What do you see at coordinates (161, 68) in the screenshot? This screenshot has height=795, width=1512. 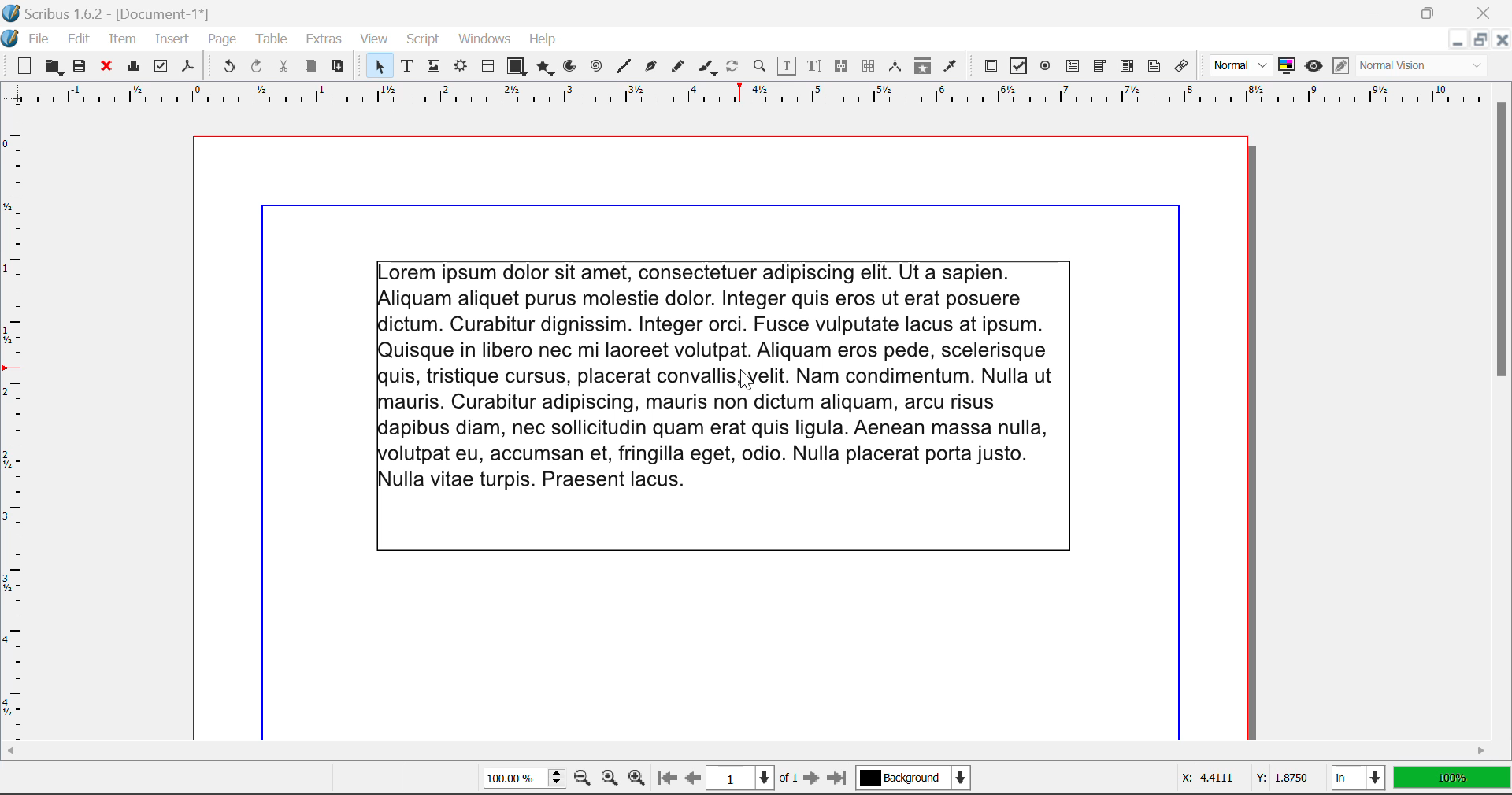 I see `Preflight Verifier` at bounding box center [161, 68].